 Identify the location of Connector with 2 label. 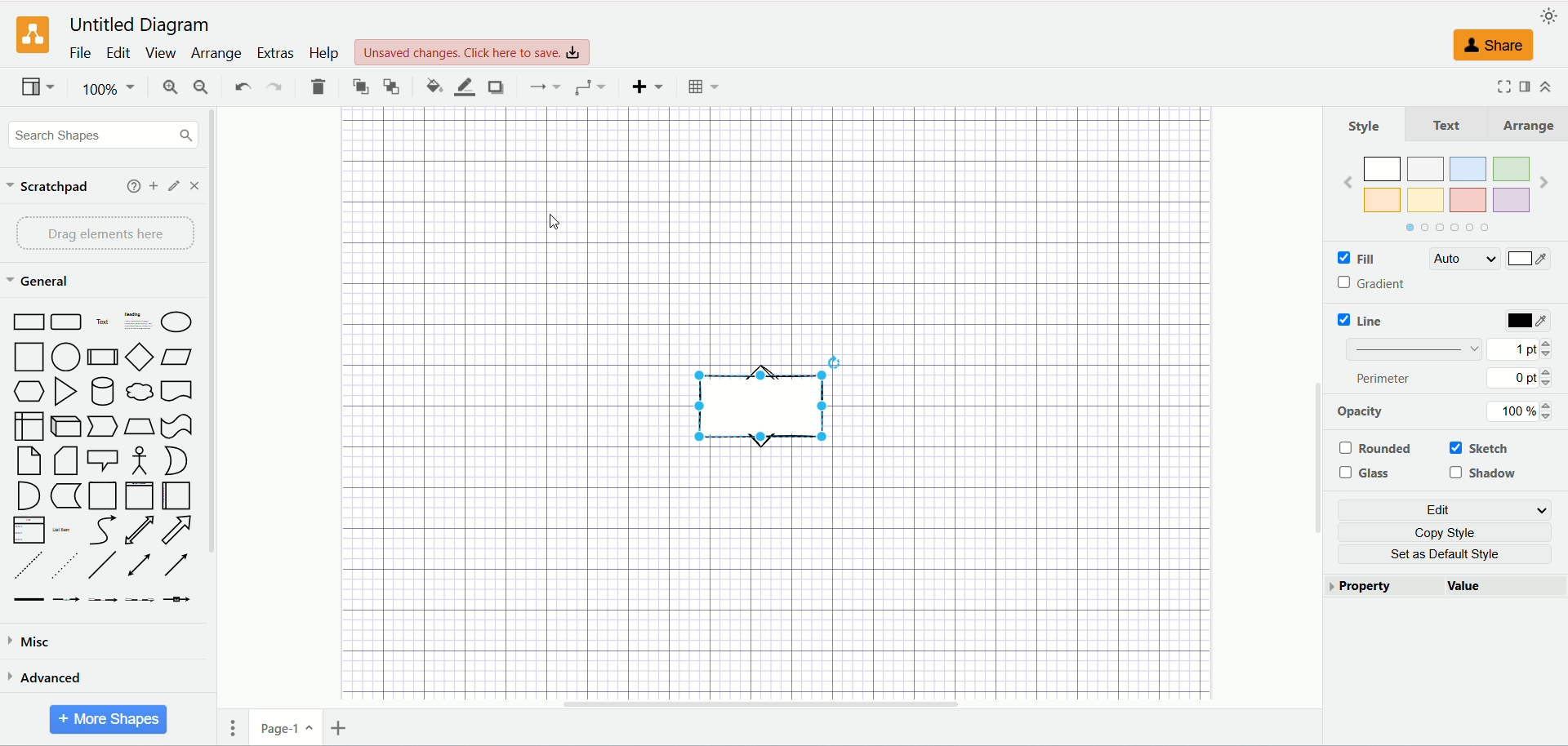
(106, 601).